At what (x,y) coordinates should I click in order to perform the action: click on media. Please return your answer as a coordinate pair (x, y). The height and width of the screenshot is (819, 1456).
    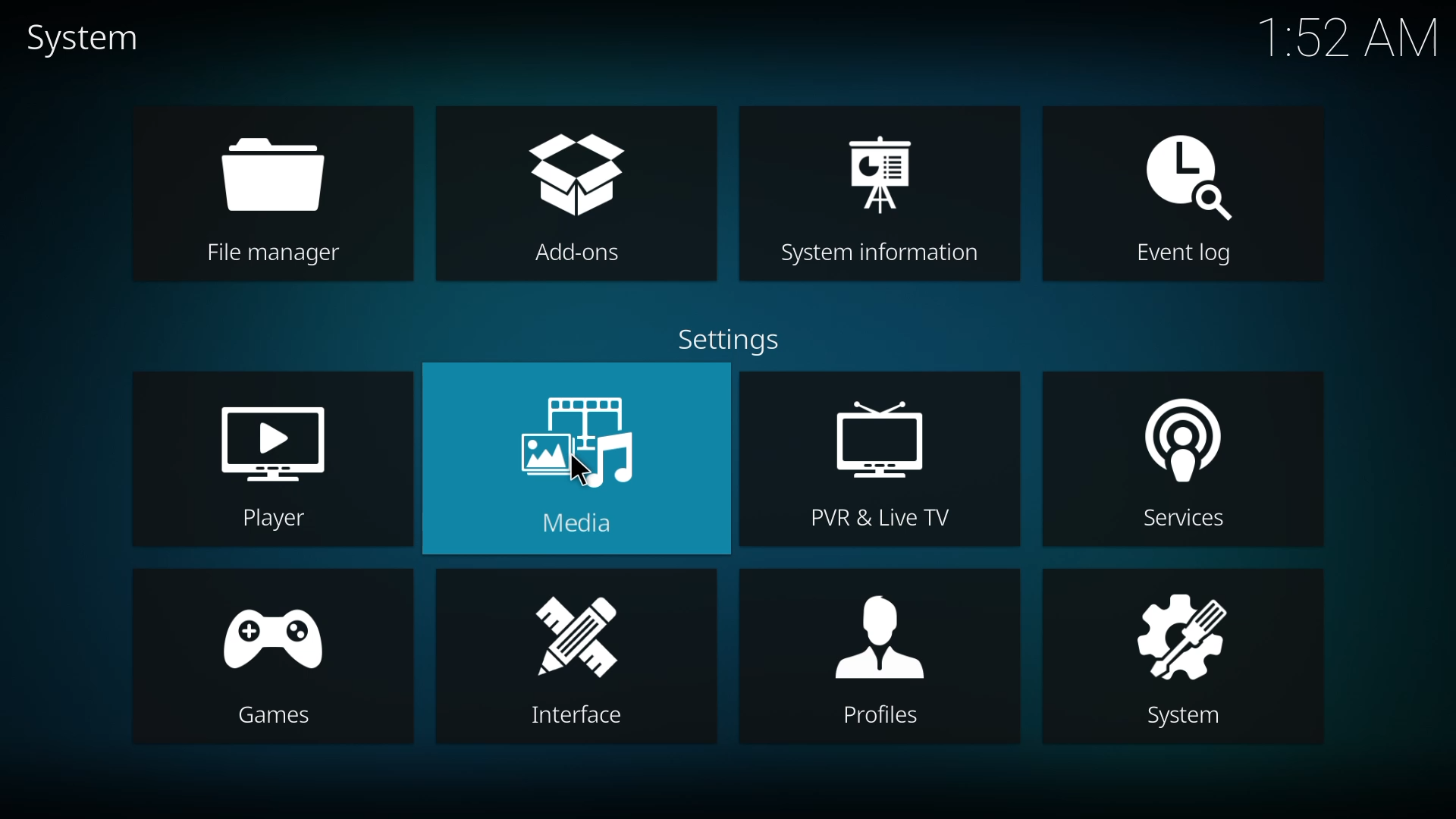
    Looking at the image, I should click on (580, 456).